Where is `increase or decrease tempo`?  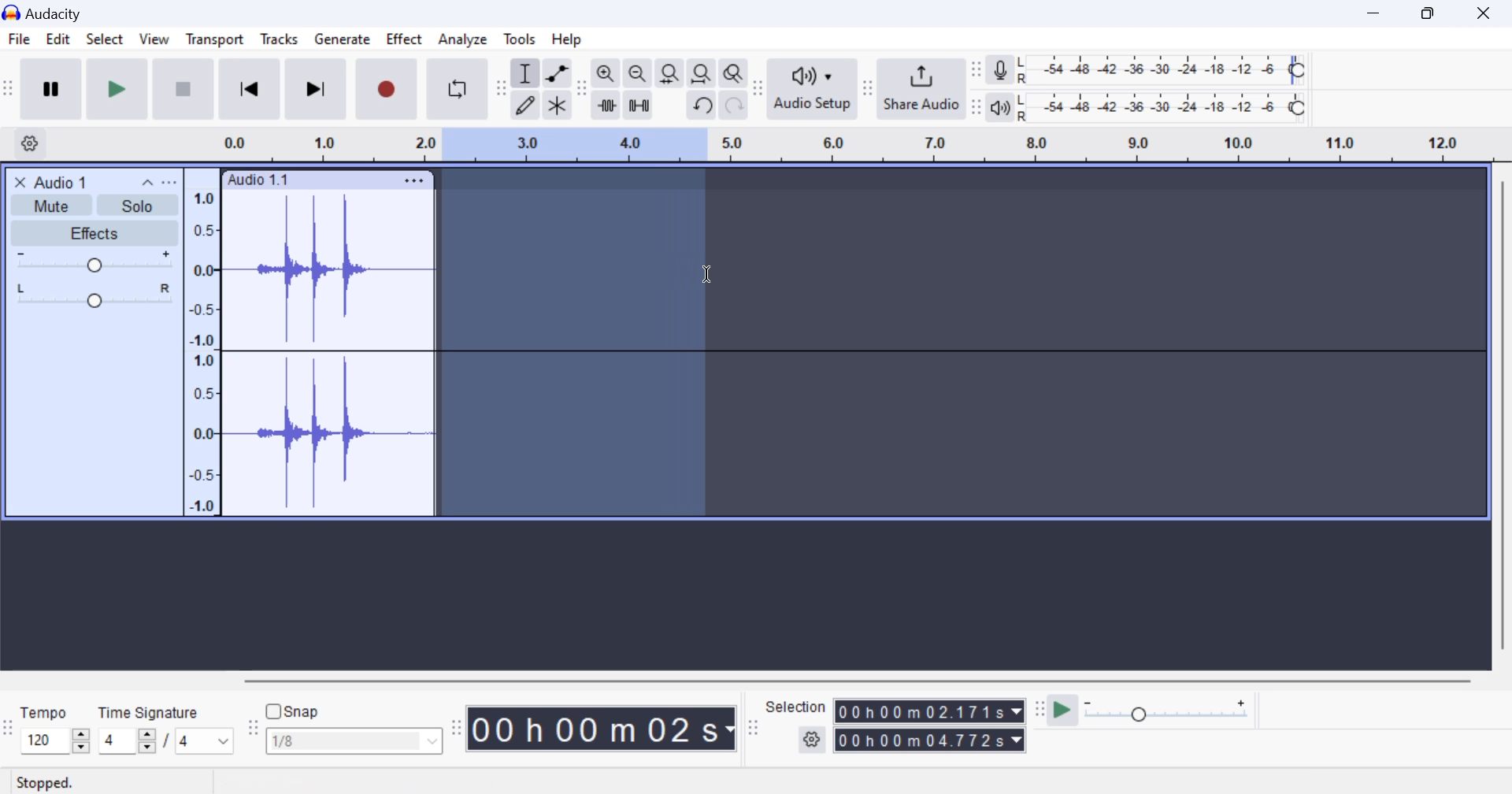 increase or decrease tempo is located at coordinates (54, 740).